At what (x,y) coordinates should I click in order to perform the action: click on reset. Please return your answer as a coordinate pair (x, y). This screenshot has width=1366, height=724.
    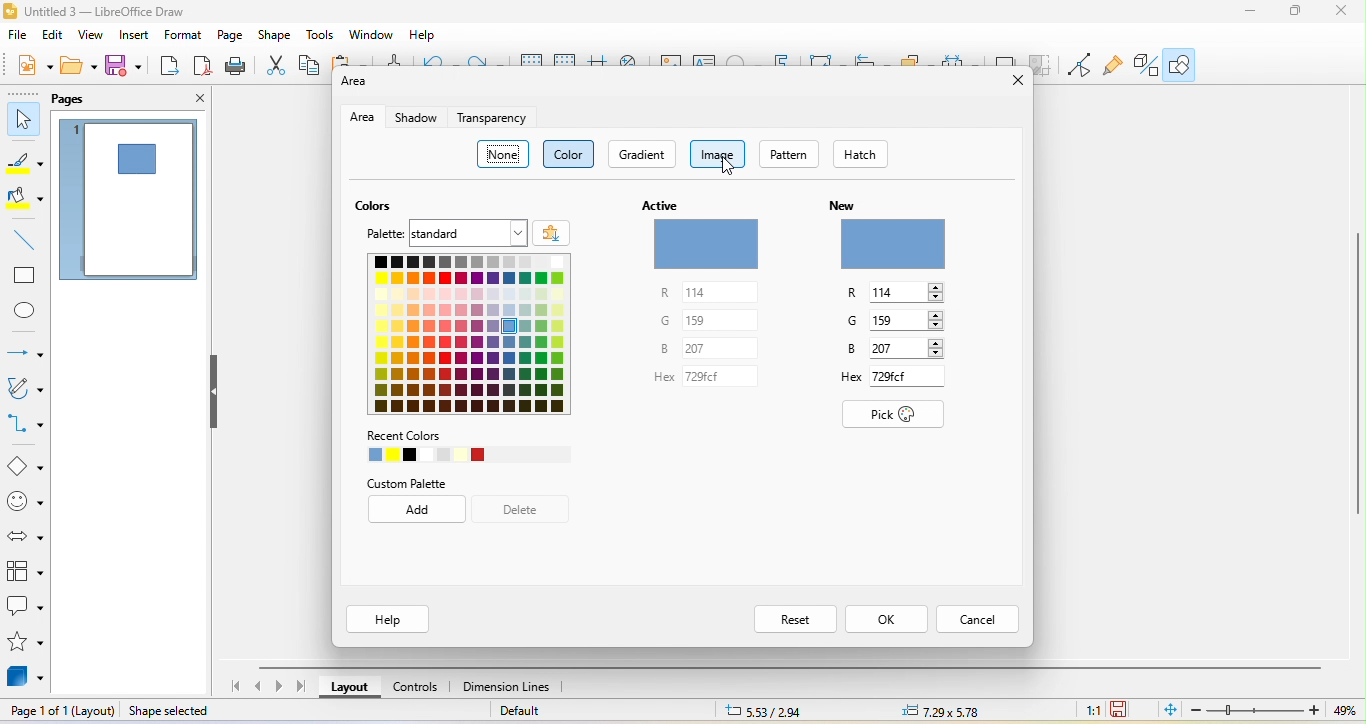
    Looking at the image, I should click on (790, 618).